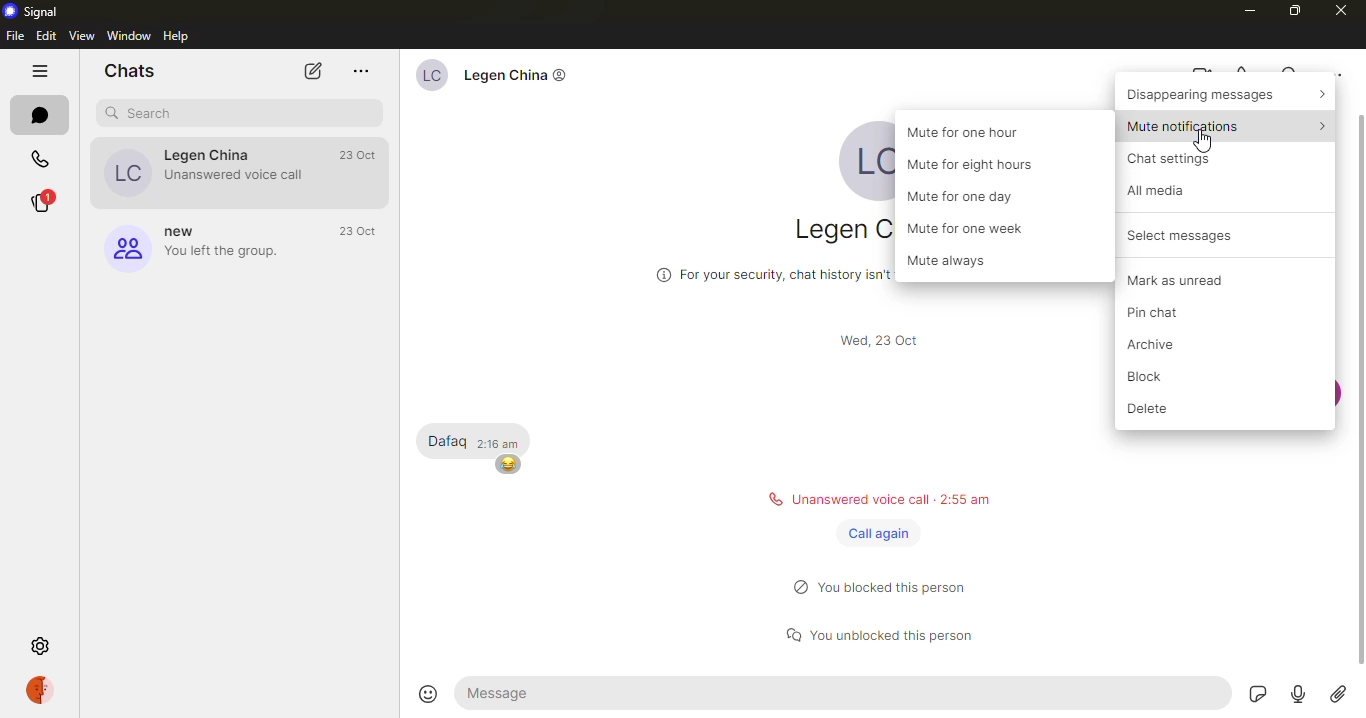  I want to click on status message, so click(890, 585).